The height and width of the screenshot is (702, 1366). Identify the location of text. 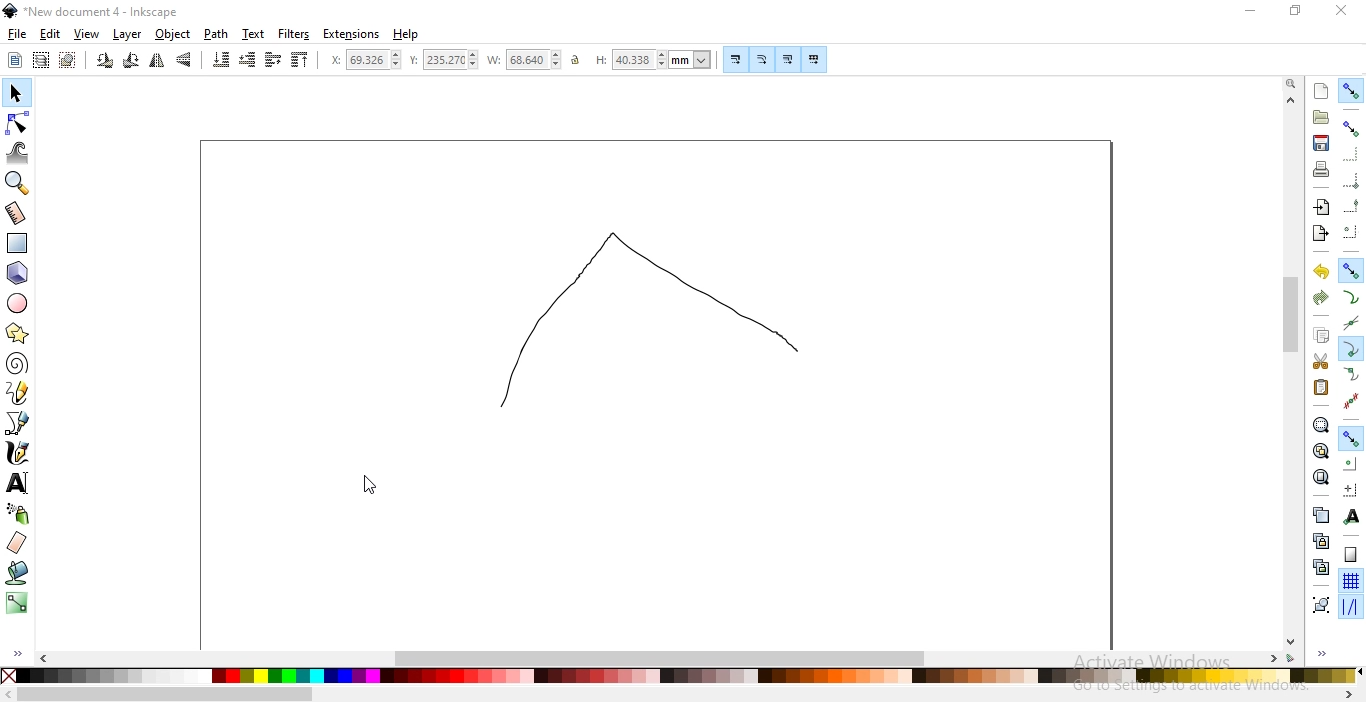
(254, 33).